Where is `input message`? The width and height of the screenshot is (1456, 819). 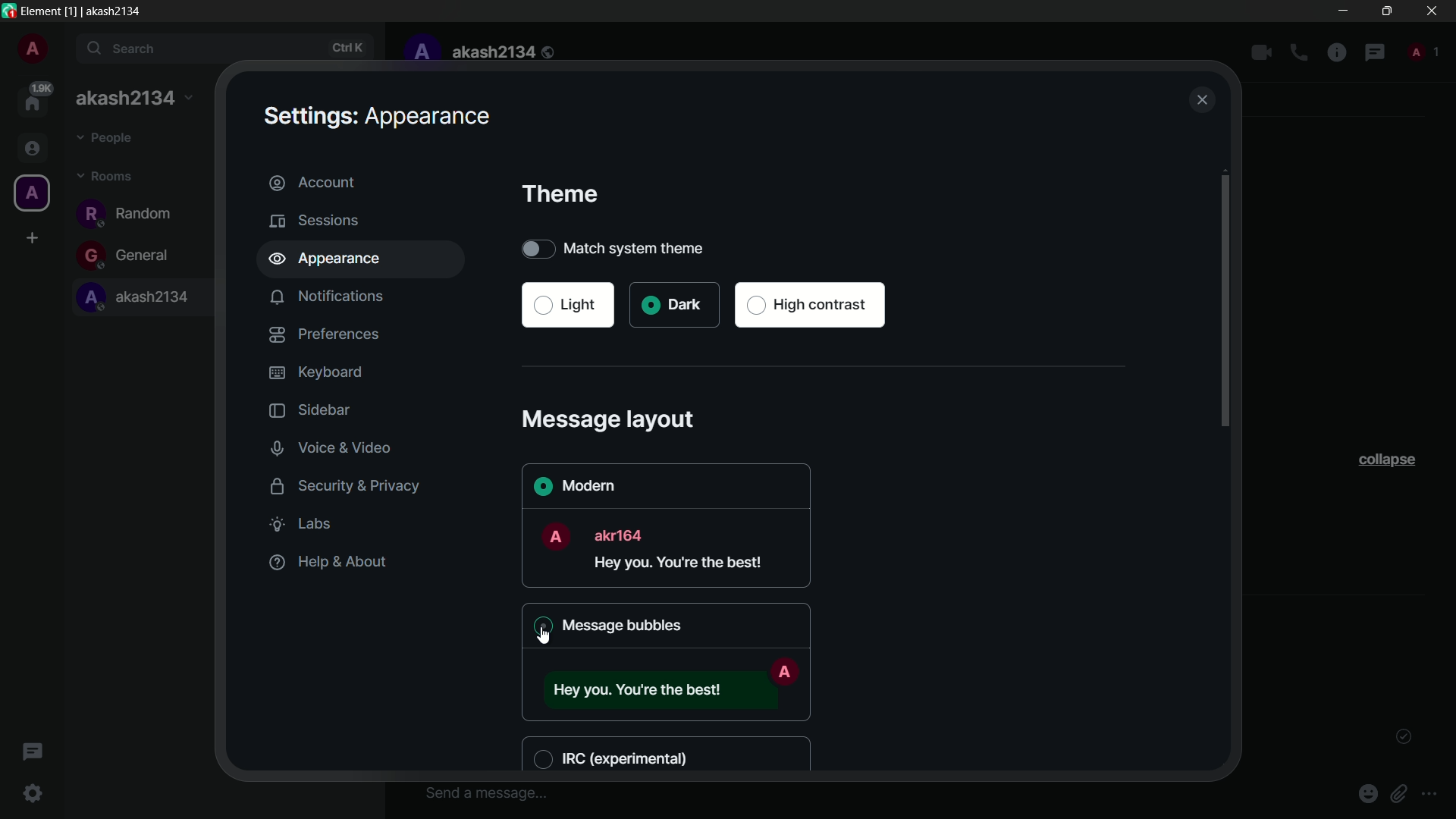 input message is located at coordinates (485, 792).